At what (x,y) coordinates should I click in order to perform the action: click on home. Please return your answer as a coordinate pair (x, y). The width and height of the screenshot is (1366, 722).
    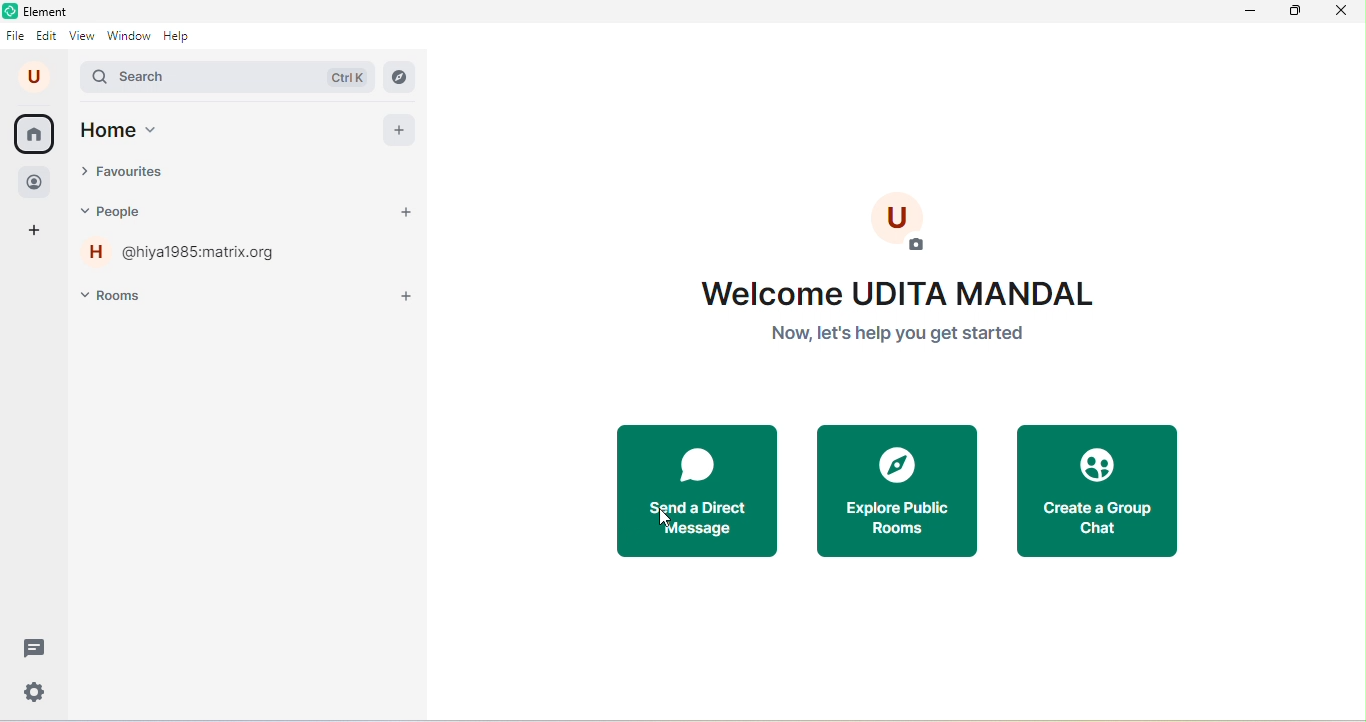
    Looking at the image, I should click on (34, 134).